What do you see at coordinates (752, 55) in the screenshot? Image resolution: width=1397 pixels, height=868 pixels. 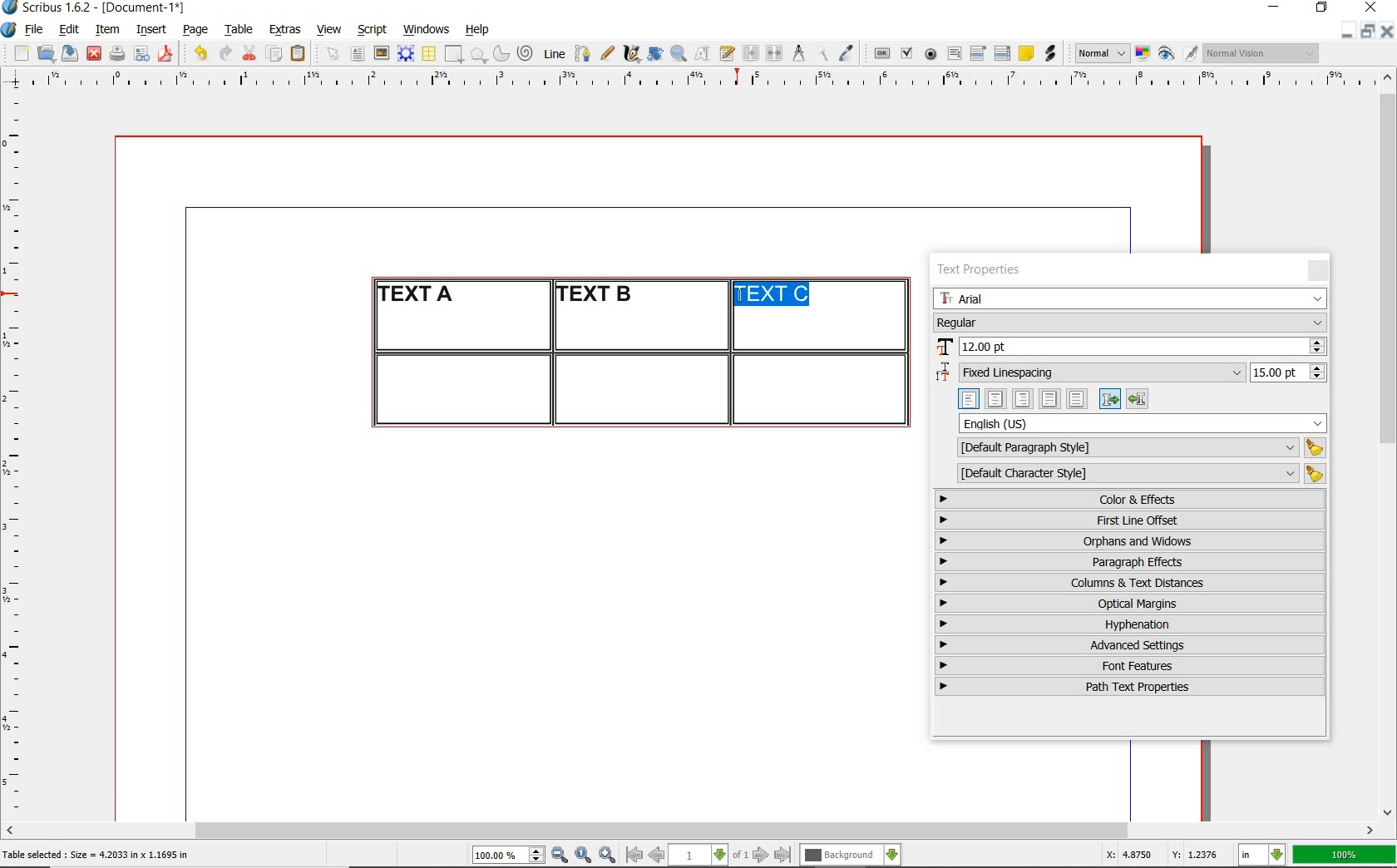 I see `link text frames` at bounding box center [752, 55].